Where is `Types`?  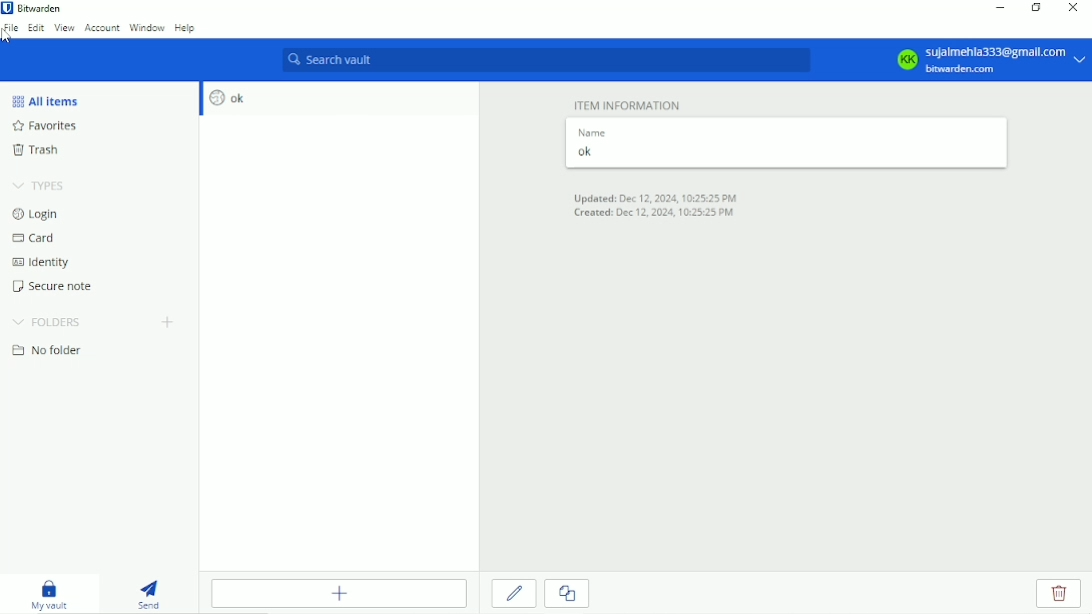
Types is located at coordinates (40, 187).